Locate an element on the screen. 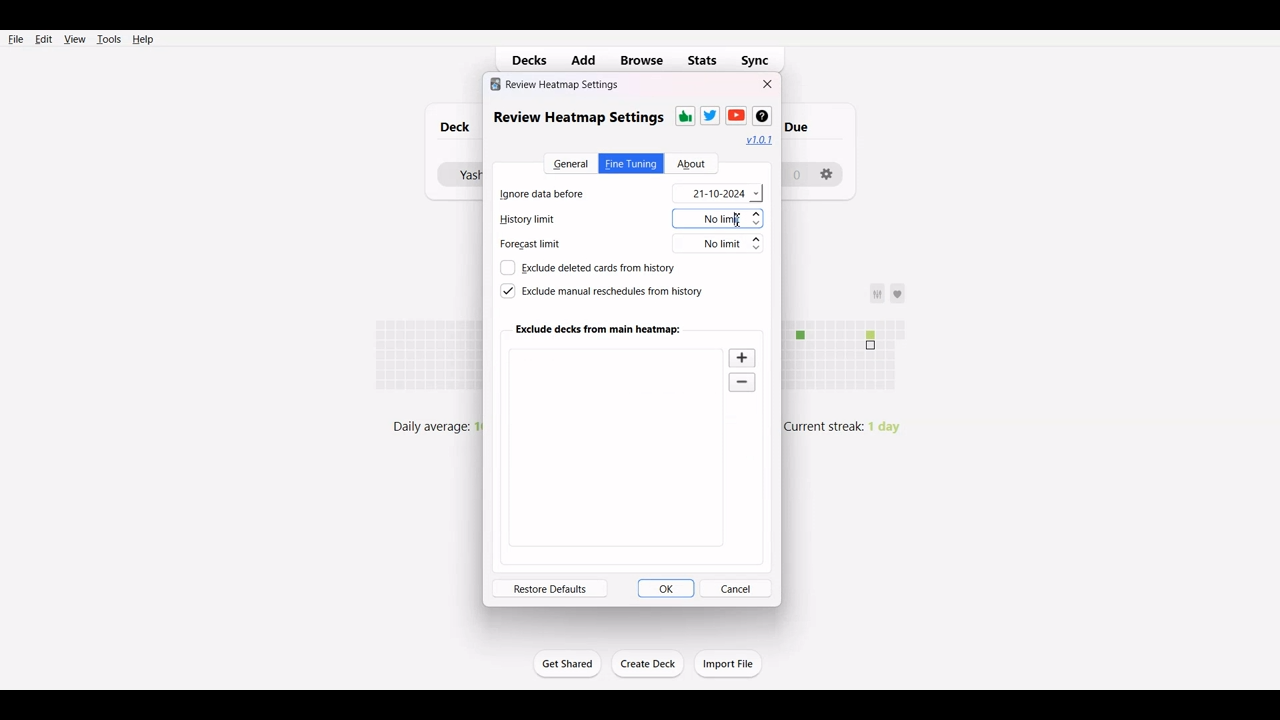 This screenshot has height=720, width=1280. Stats is located at coordinates (703, 60).